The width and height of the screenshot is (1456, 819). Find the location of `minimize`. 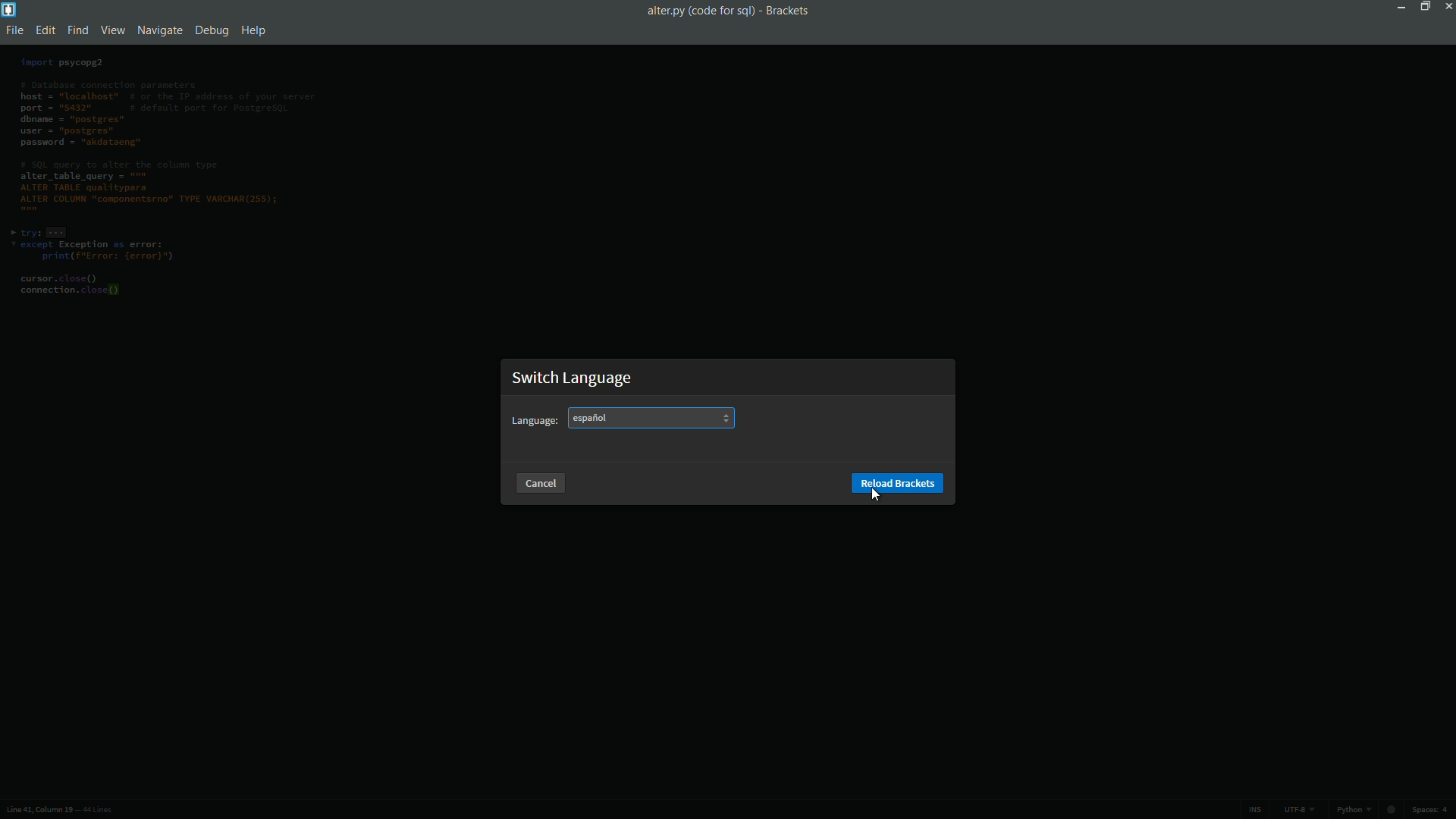

minimize is located at coordinates (1403, 8).